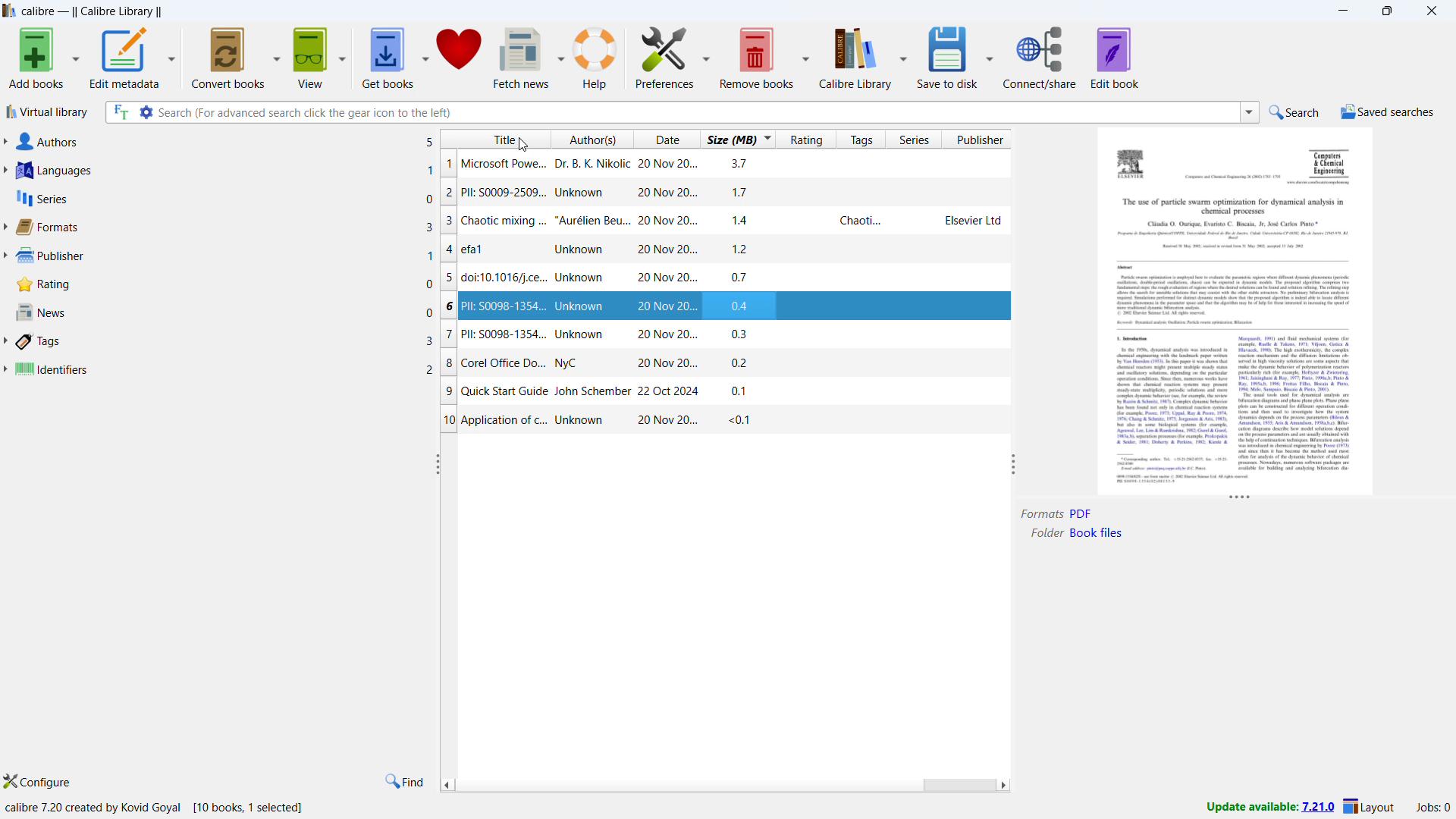 This screenshot has height=819, width=1456. I want to click on preferences , so click(666, 55).